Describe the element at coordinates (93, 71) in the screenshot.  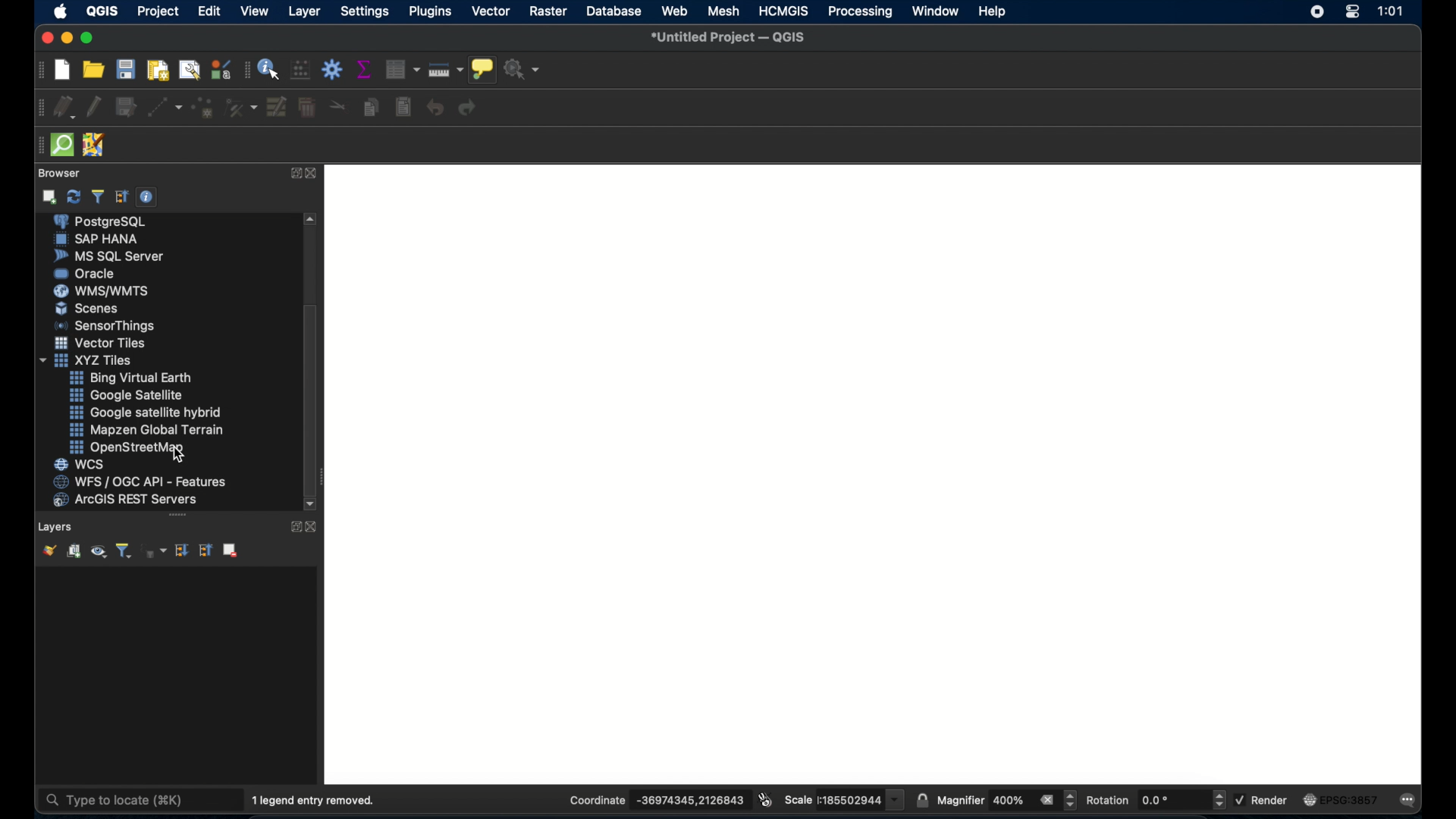
I see `open project` at that location.